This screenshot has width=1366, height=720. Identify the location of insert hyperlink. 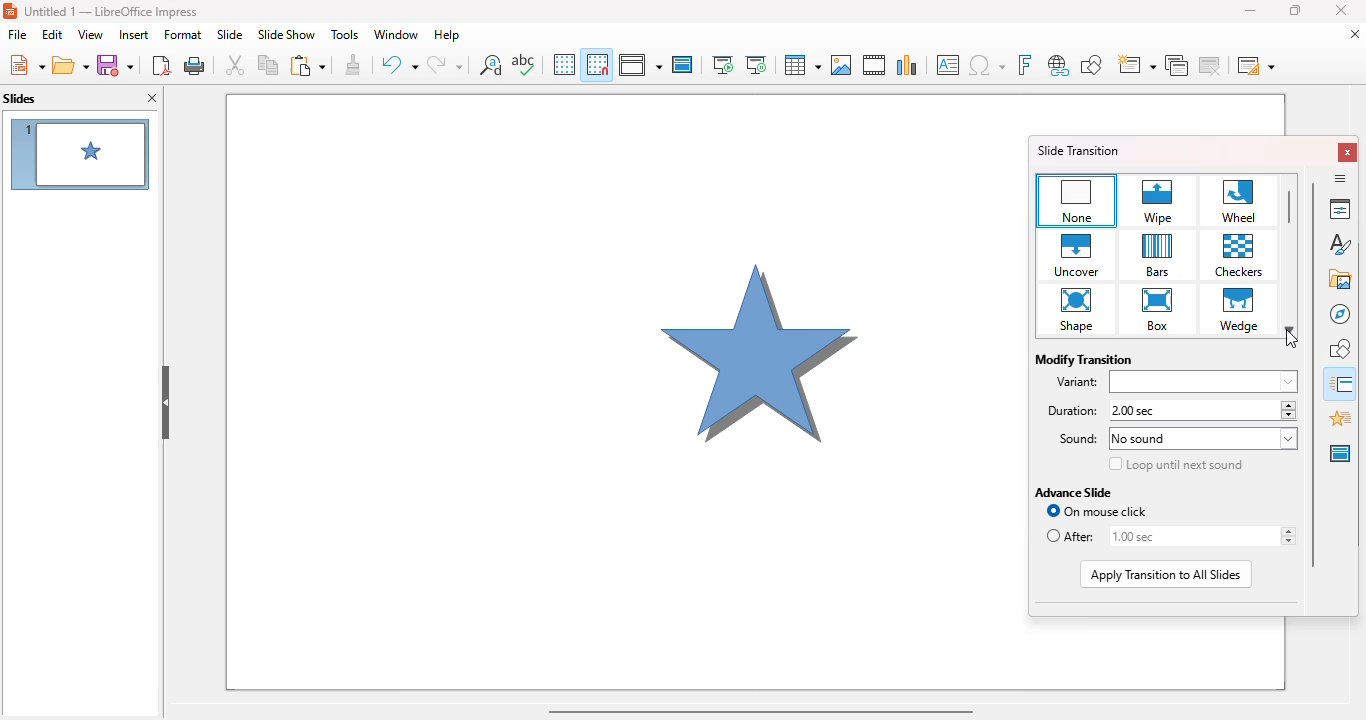
(1059, 66).